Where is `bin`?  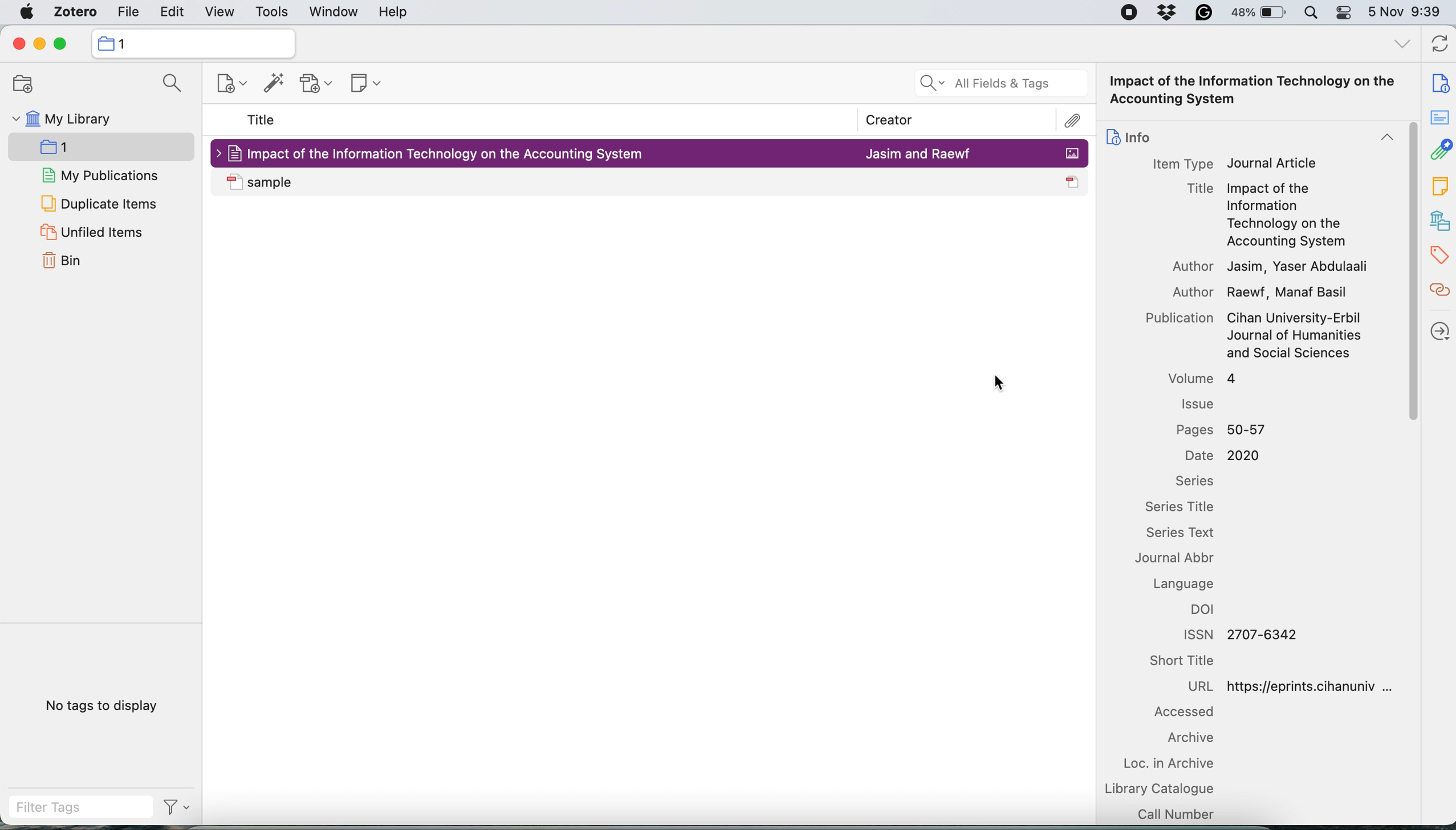
bin is located at coordinates (63, 261).